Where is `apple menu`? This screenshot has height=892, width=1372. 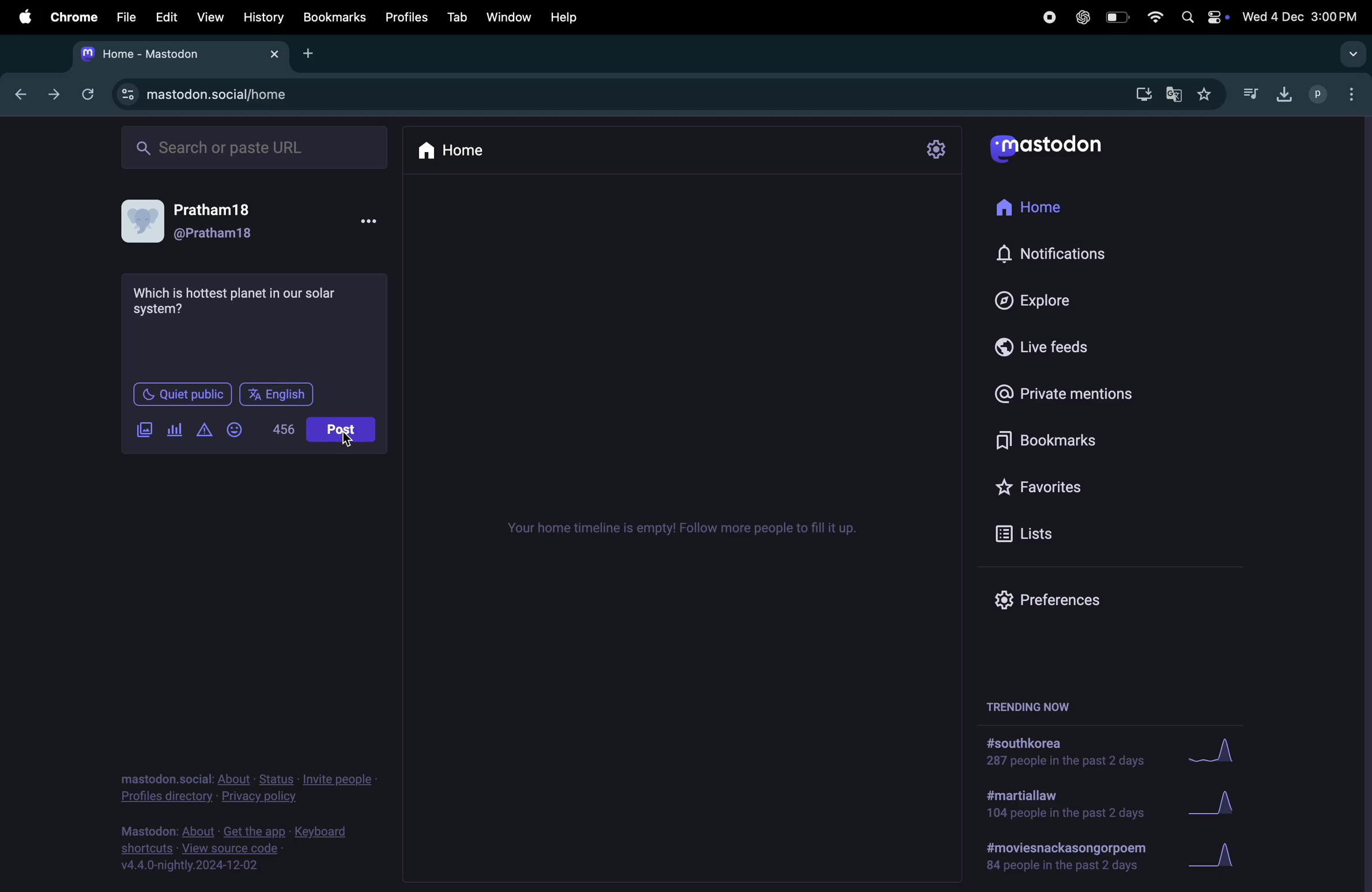
apple menu is located at coordinates (21, 17).